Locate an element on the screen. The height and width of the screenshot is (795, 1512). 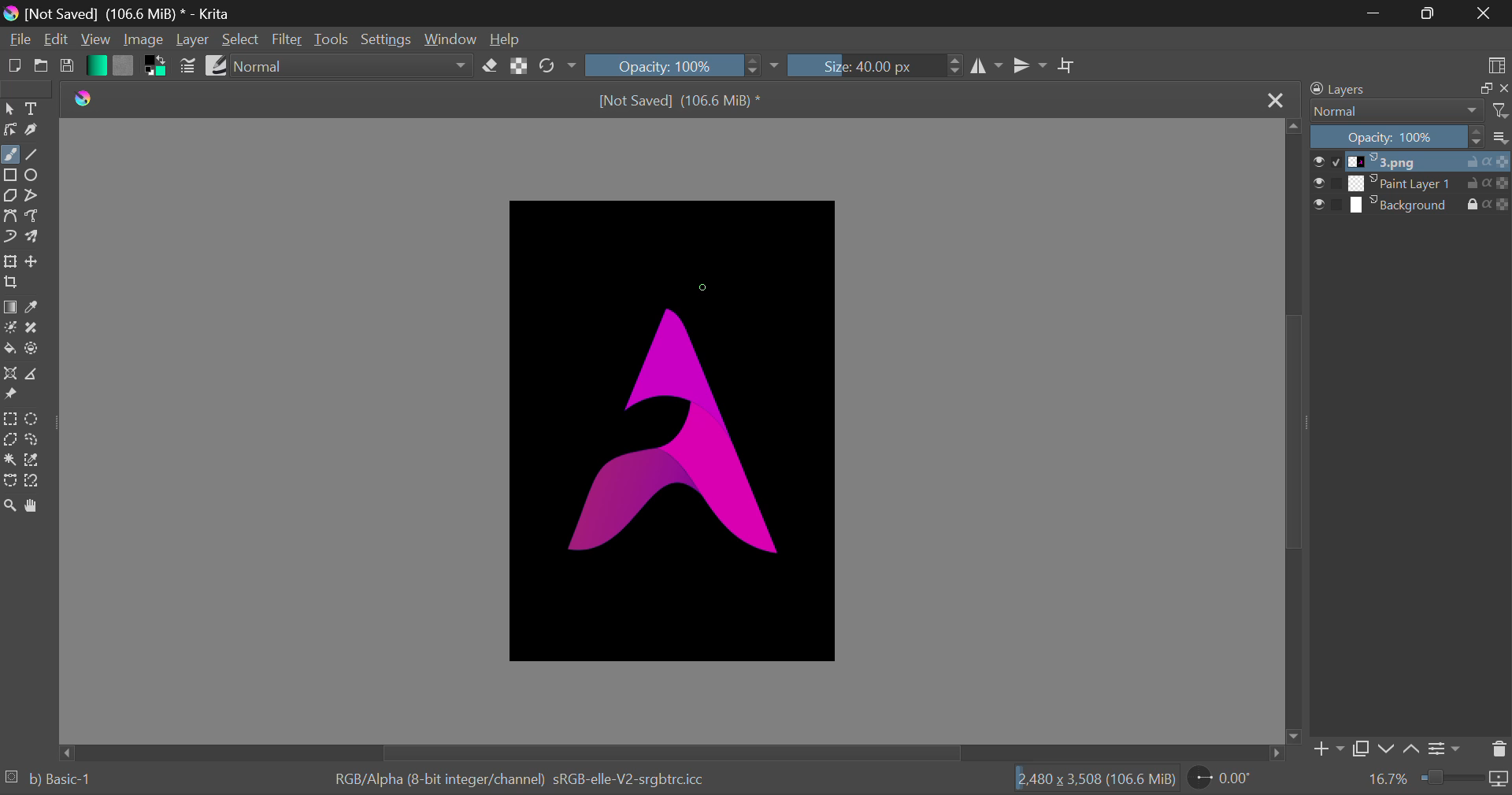
Ellipses is located at coordinates (35, 176).